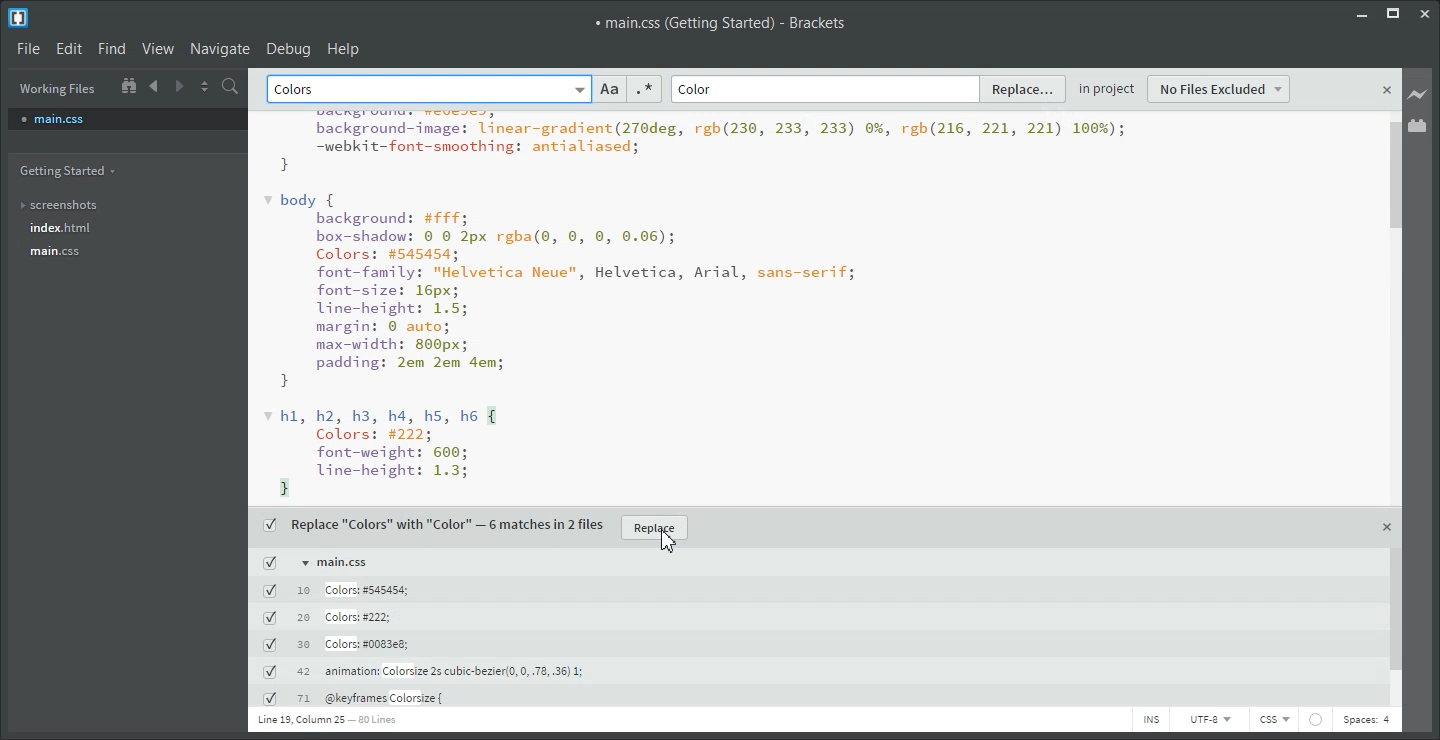 This screenshot has height=740, width=1440. I want to click on body {
background: #fff;
box-shadow: © 0 2px rgba(e, ©, ©, 0.06);
Colors: #545454;
font-family: "Helvetica Neue", Helvetica, Arial, sans-serif;
font-size: 16px;
line-height: 1.5;
margin: © auto;
max-width: 80@px;
padding: 2em 2em dem;
}, so click(563, 289).